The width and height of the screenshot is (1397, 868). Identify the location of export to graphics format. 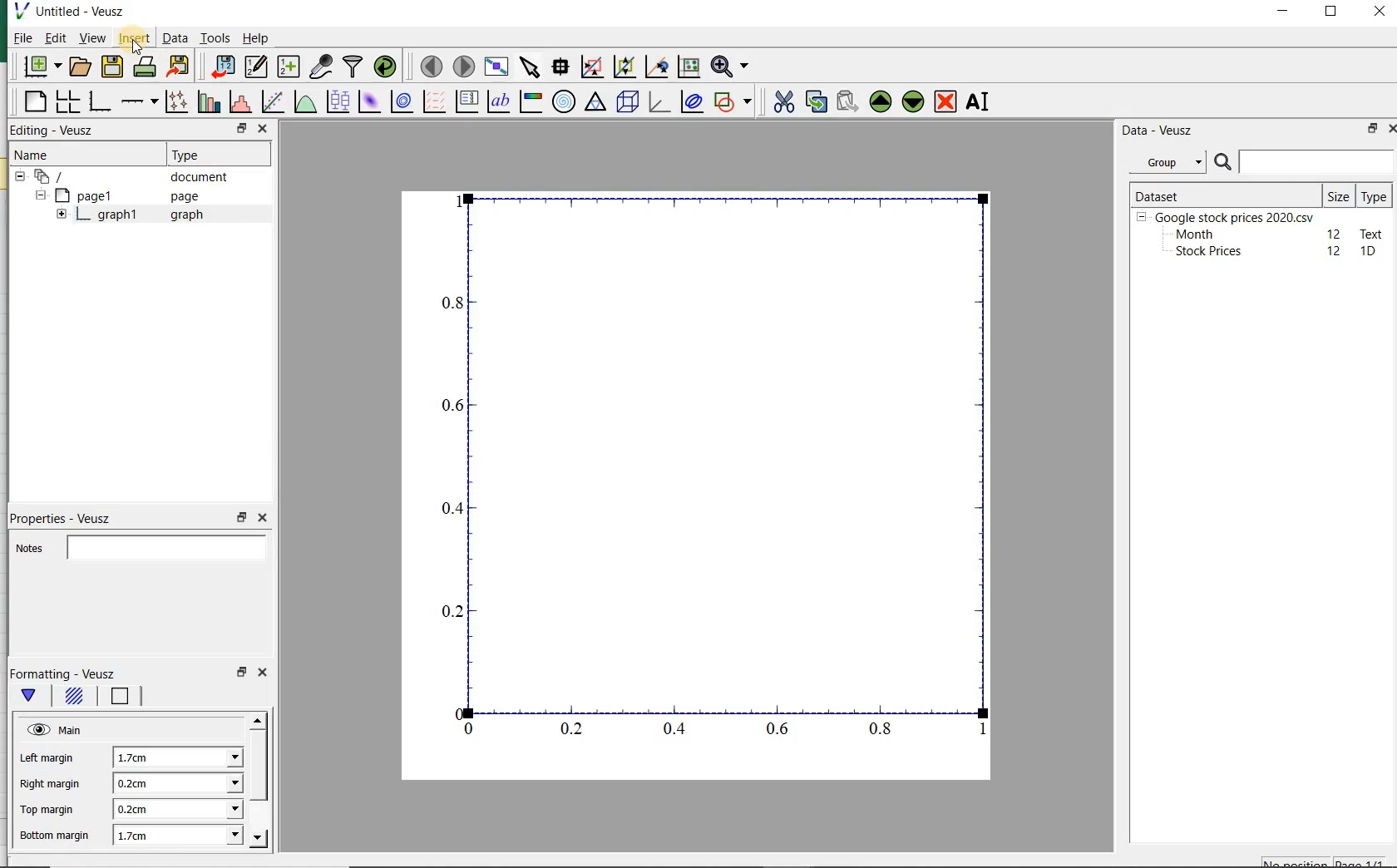
(179, 67).